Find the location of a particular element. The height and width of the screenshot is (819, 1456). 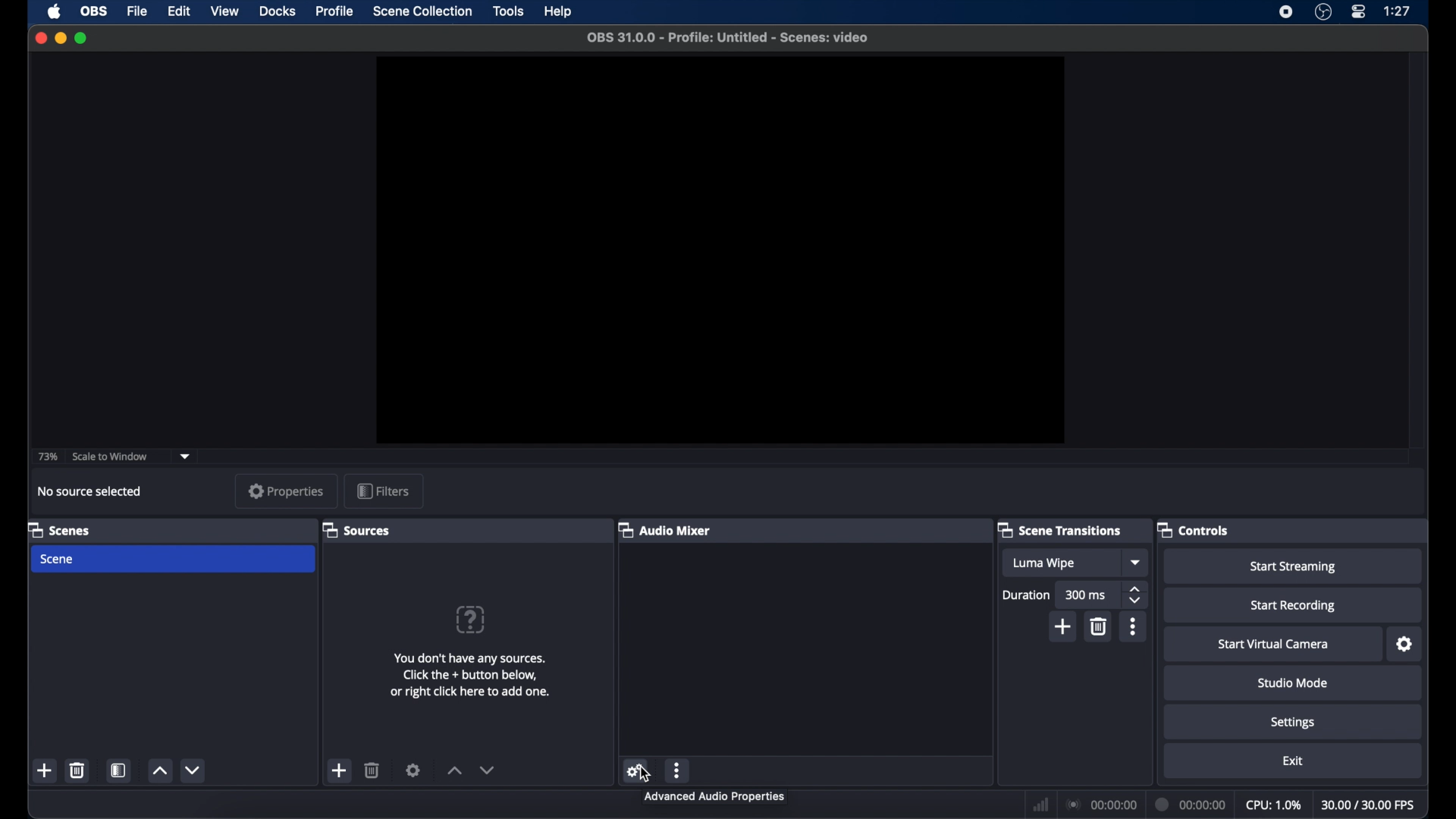

file is located at coordinates (138, 12).